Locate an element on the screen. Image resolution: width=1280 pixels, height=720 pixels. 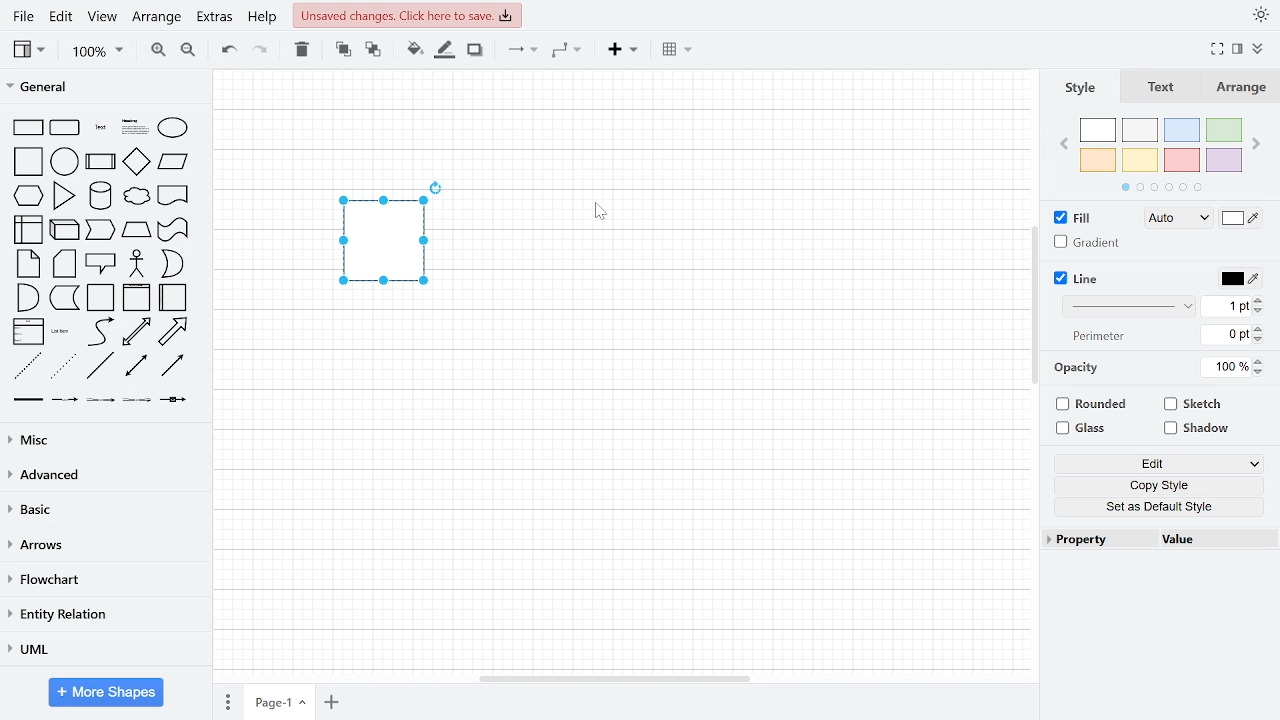
ellipse is located at coordinates (174, 127).